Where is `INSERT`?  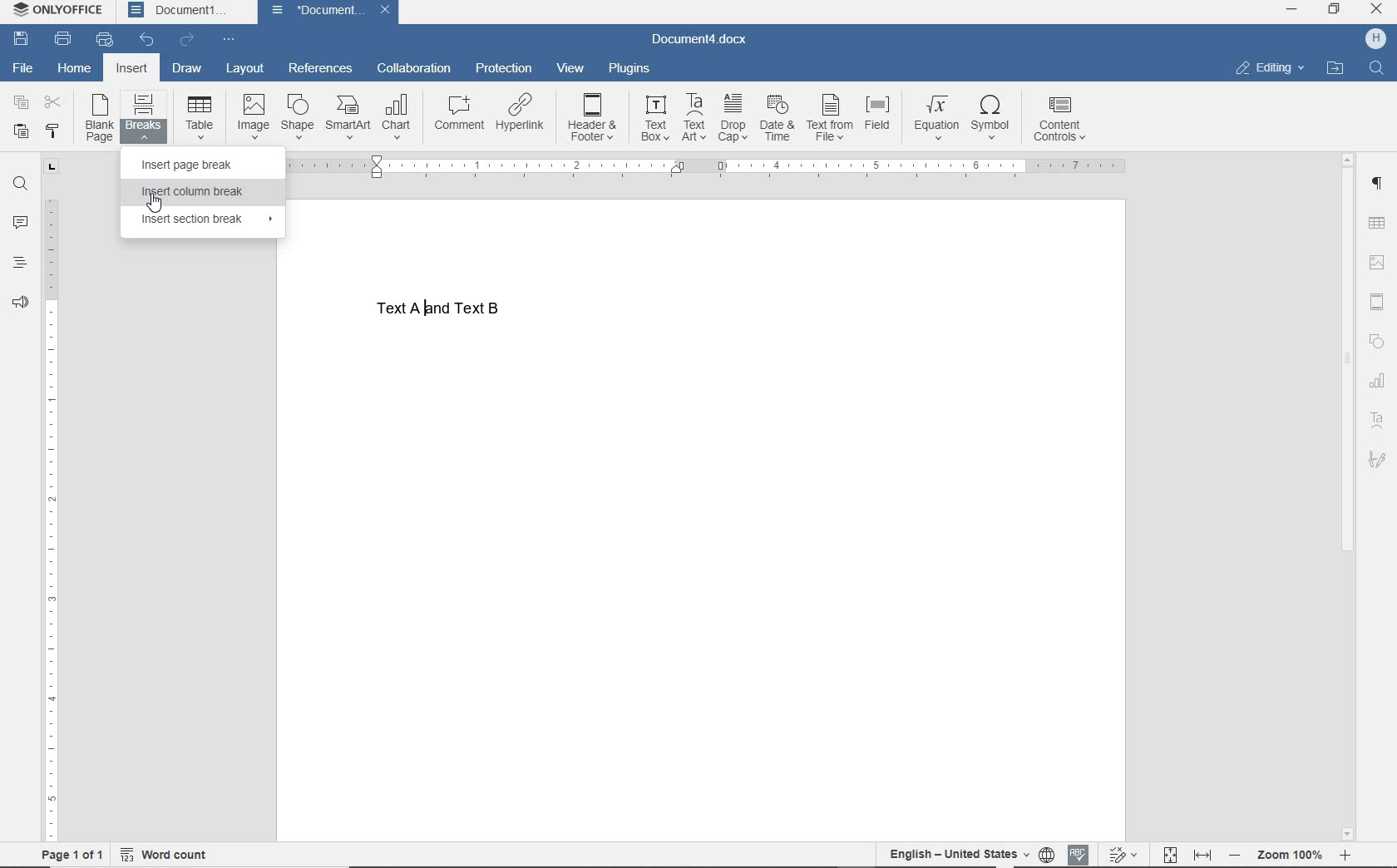 INSERT is located at coordinates (131, 70).